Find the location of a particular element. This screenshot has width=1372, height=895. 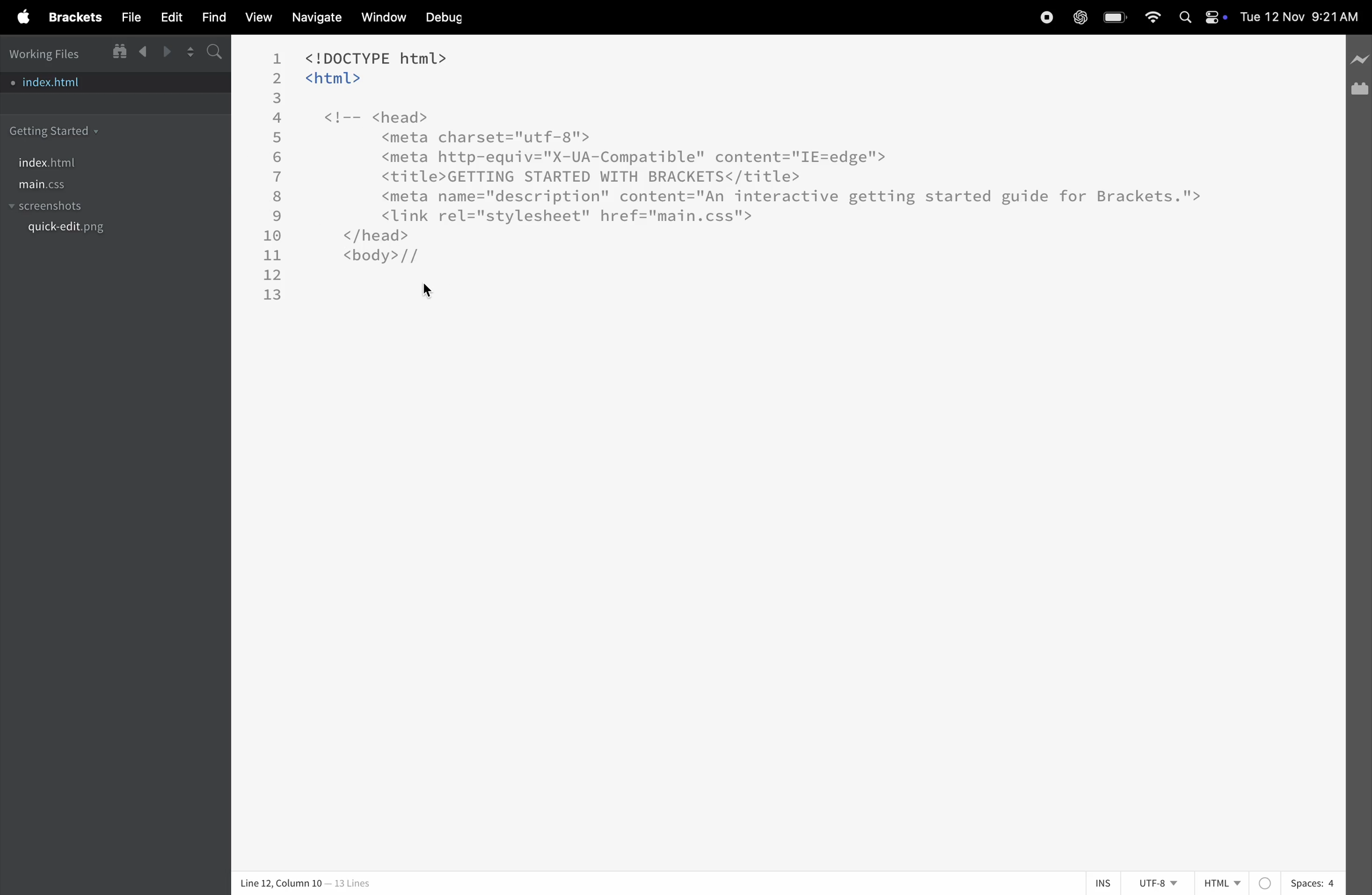

window is located at coordinates (382, 17).